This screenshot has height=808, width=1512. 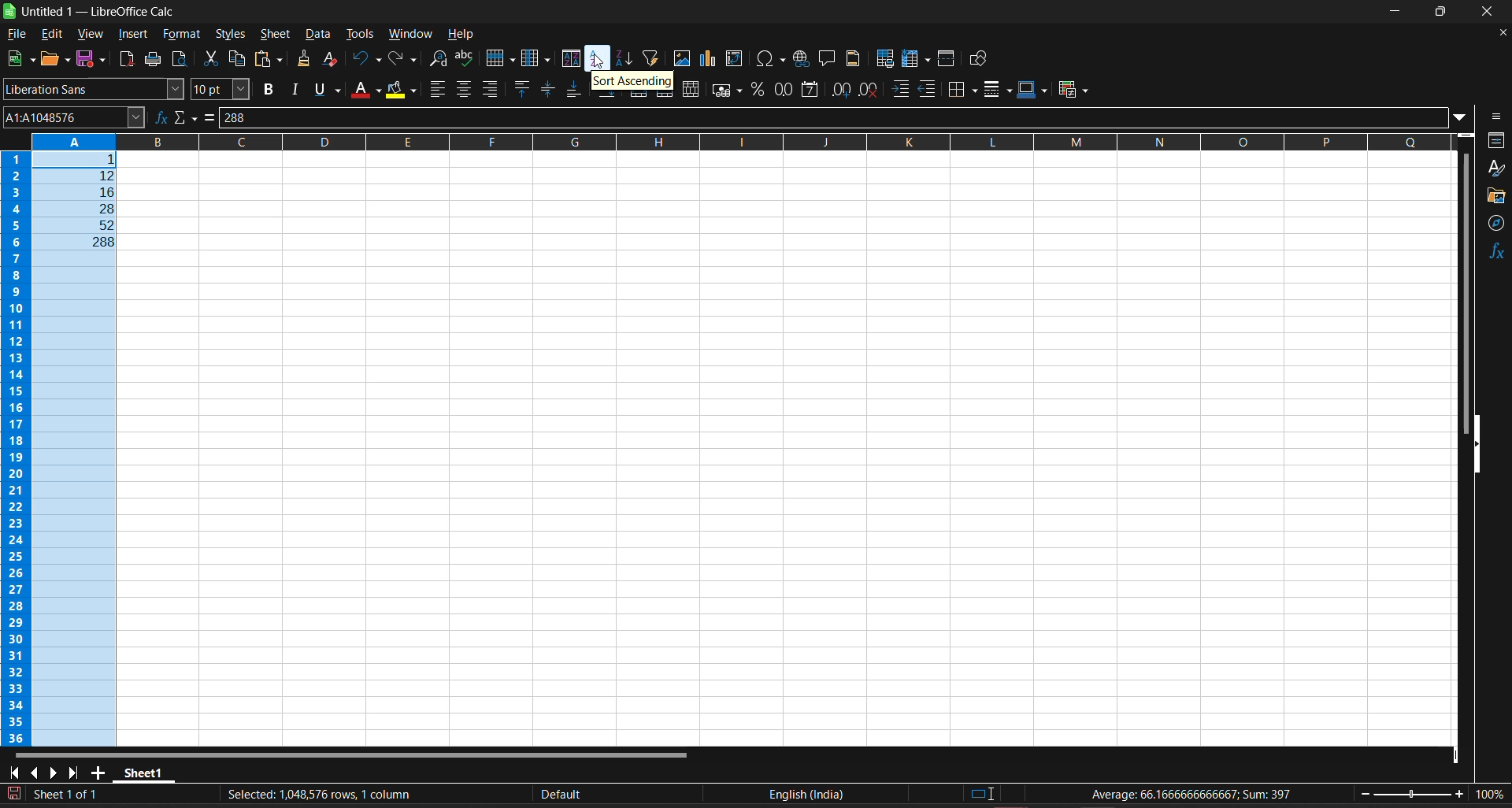 What do you see at coordinates (99, 770) in the screenshot?
I see `add sheet` at bounding box center [99, 770].